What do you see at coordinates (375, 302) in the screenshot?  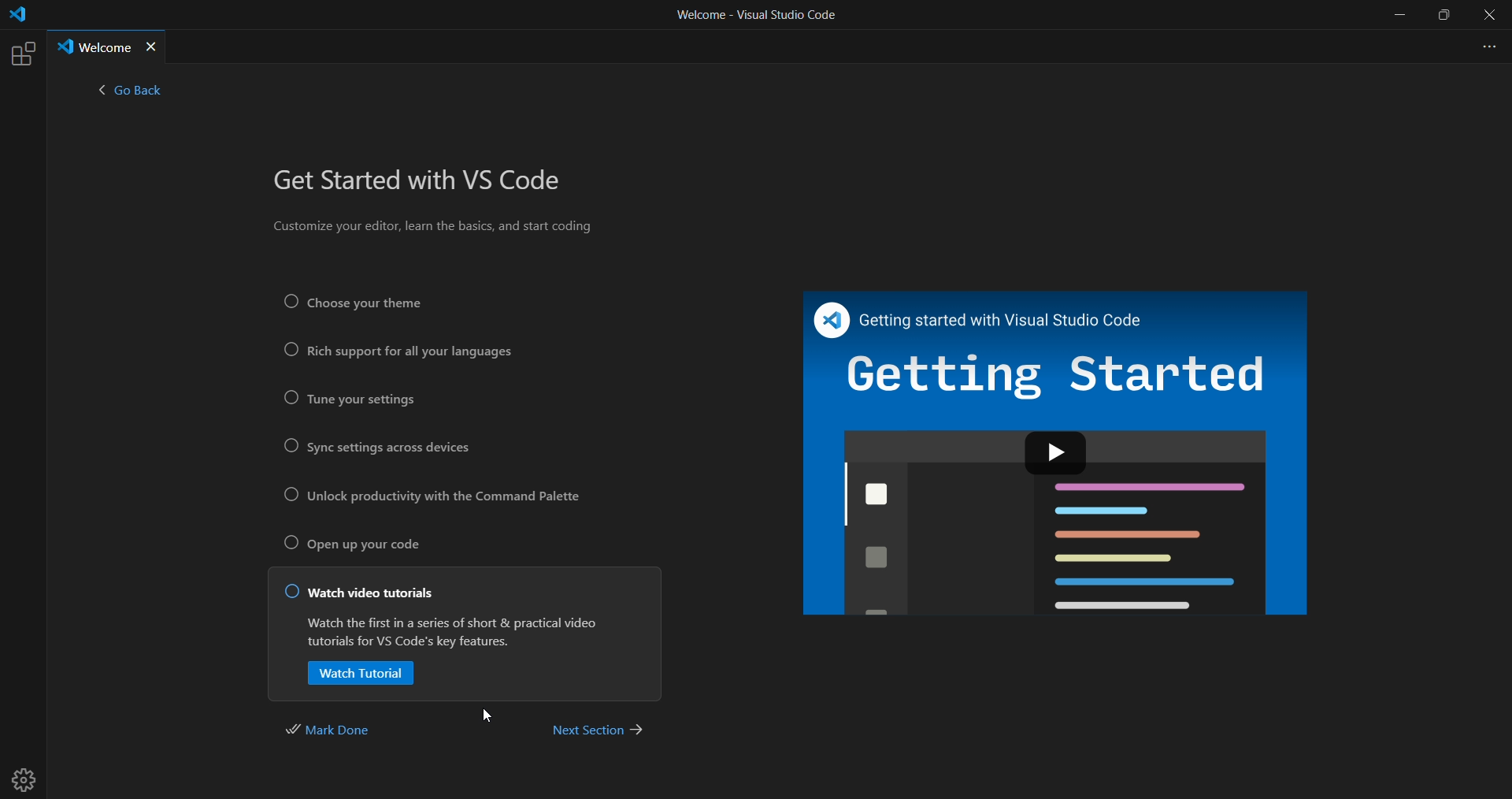 I see `Choose your theme` at bounding box center [375, 302].